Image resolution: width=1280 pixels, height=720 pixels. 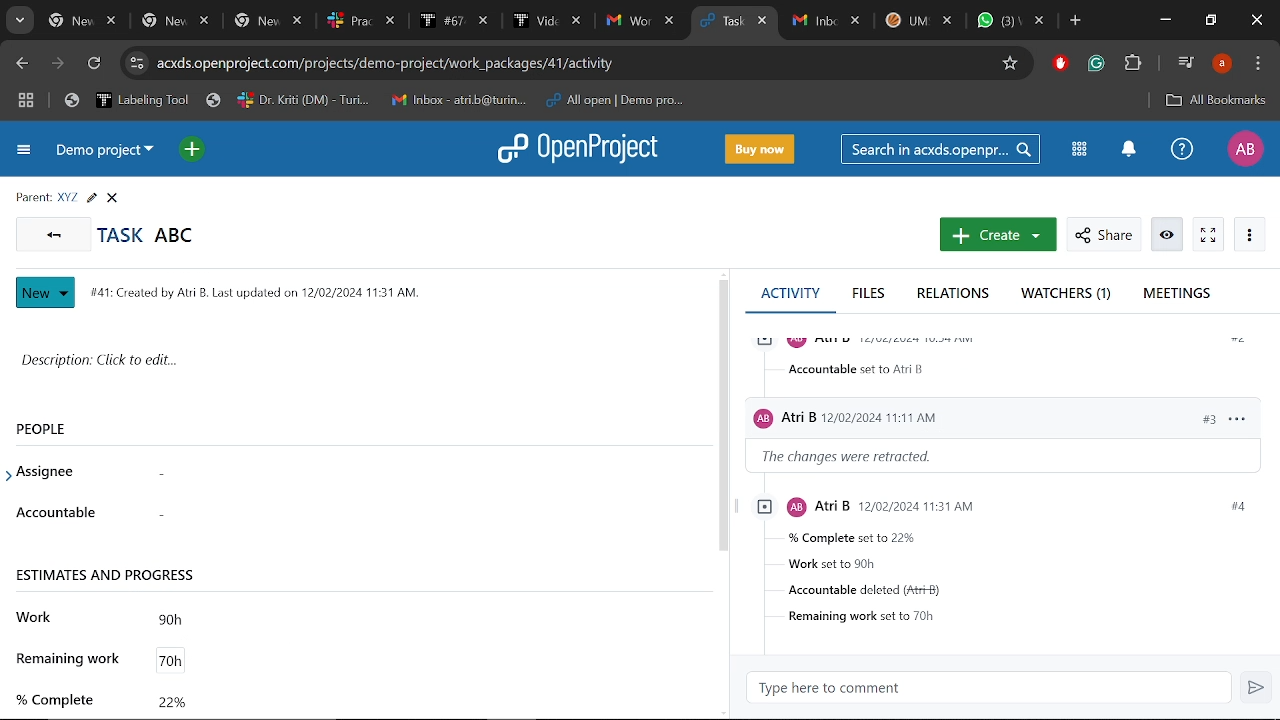 What do you see at coordinates (1098, 66) in the screenshot?
I see `Grmmarly` at bounding box center [1098, 66].